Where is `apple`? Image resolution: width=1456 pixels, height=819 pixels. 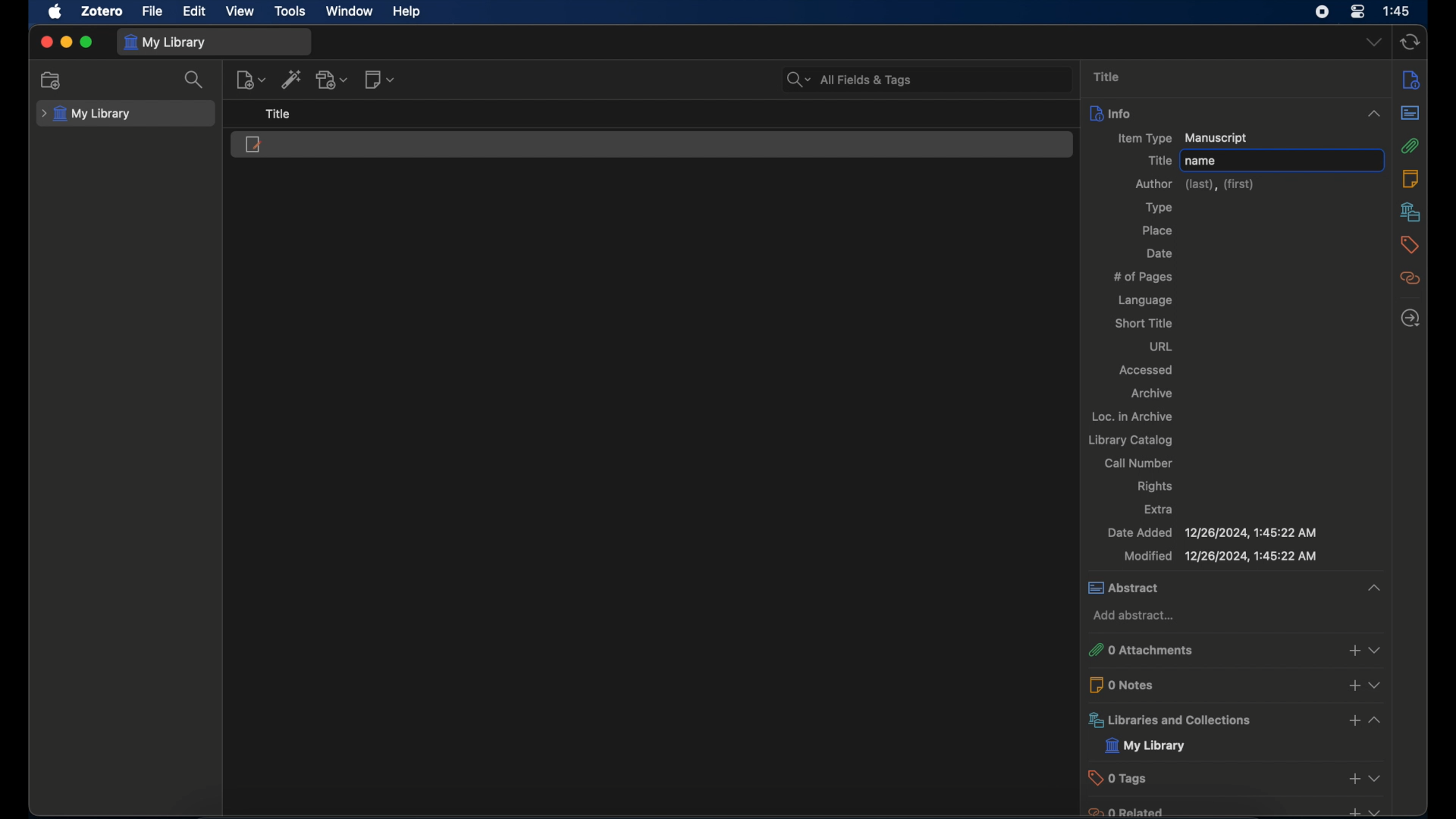
apple is located at coordinates (54, 11).